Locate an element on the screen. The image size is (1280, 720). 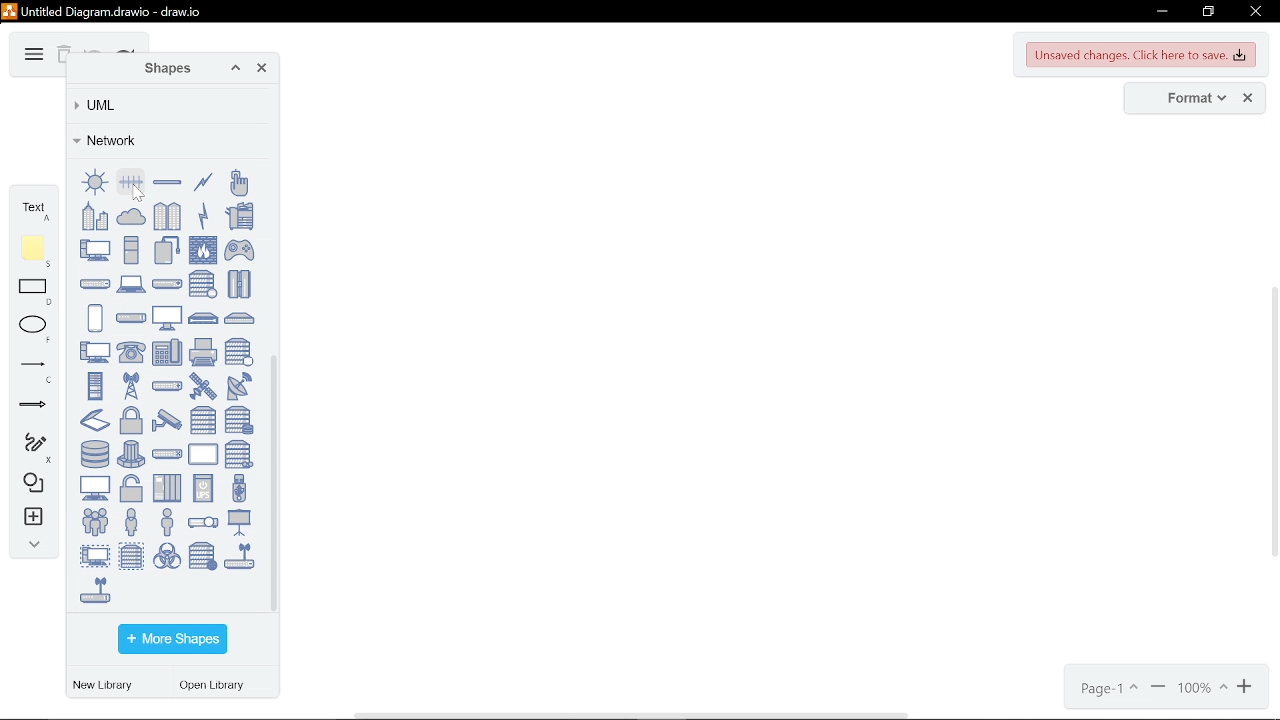
NAS filer is located at coordinates (204, 318).